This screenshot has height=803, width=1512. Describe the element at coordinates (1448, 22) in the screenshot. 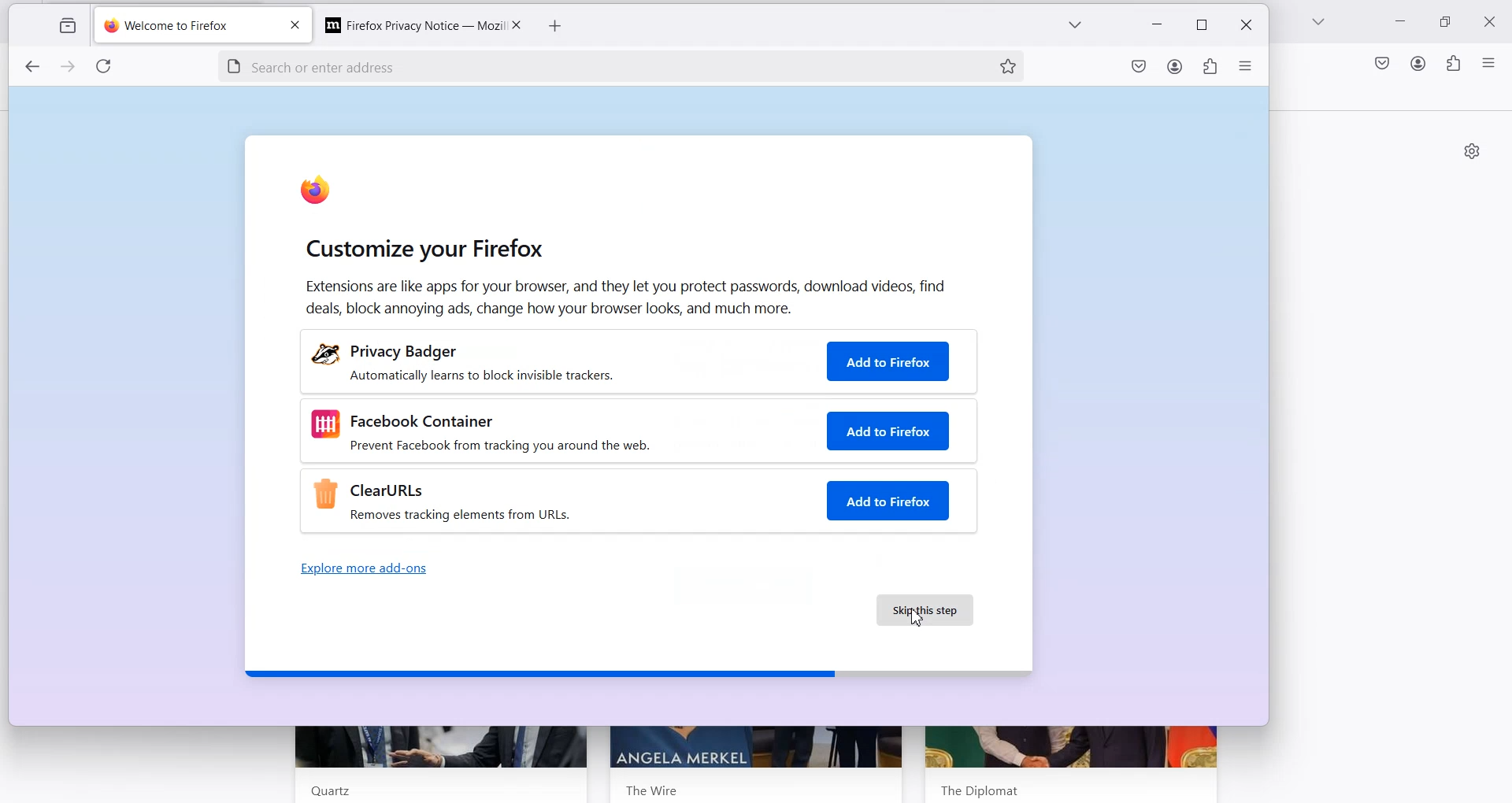

I see `Maximize` at that location.